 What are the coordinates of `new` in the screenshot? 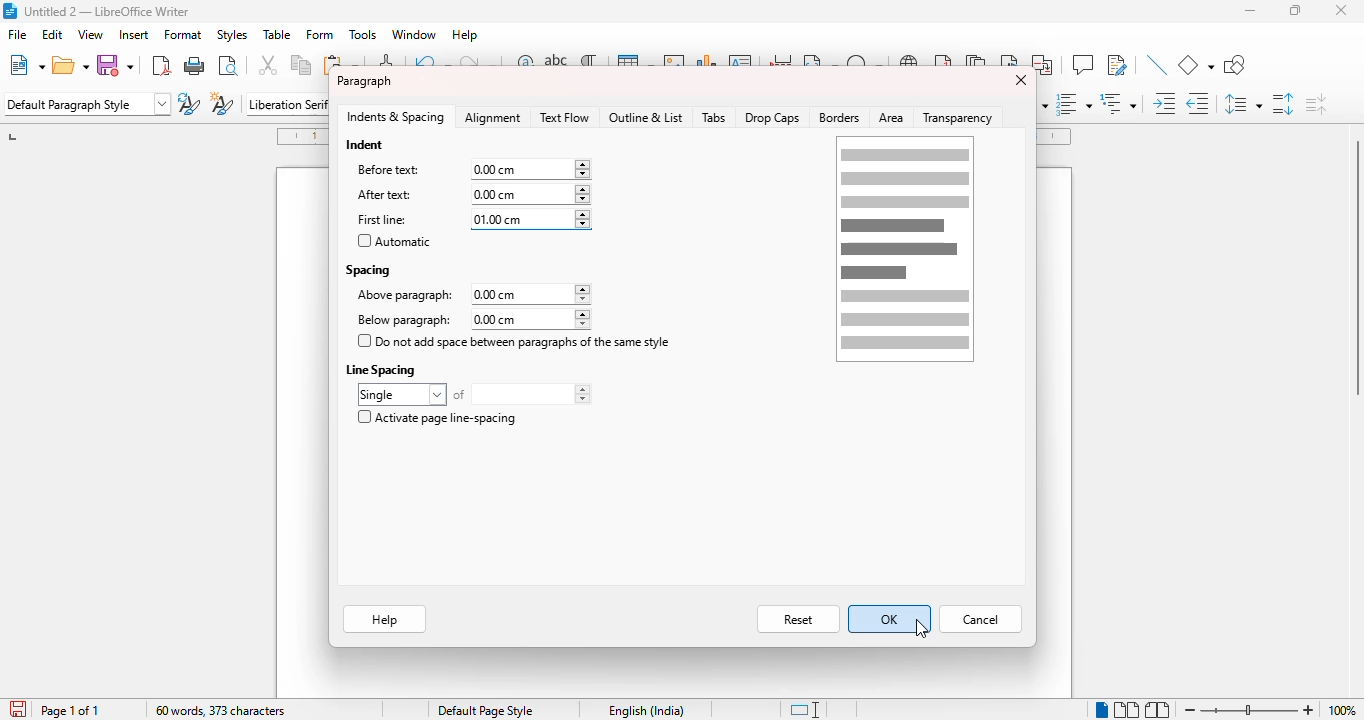 It's located at (26, 64).